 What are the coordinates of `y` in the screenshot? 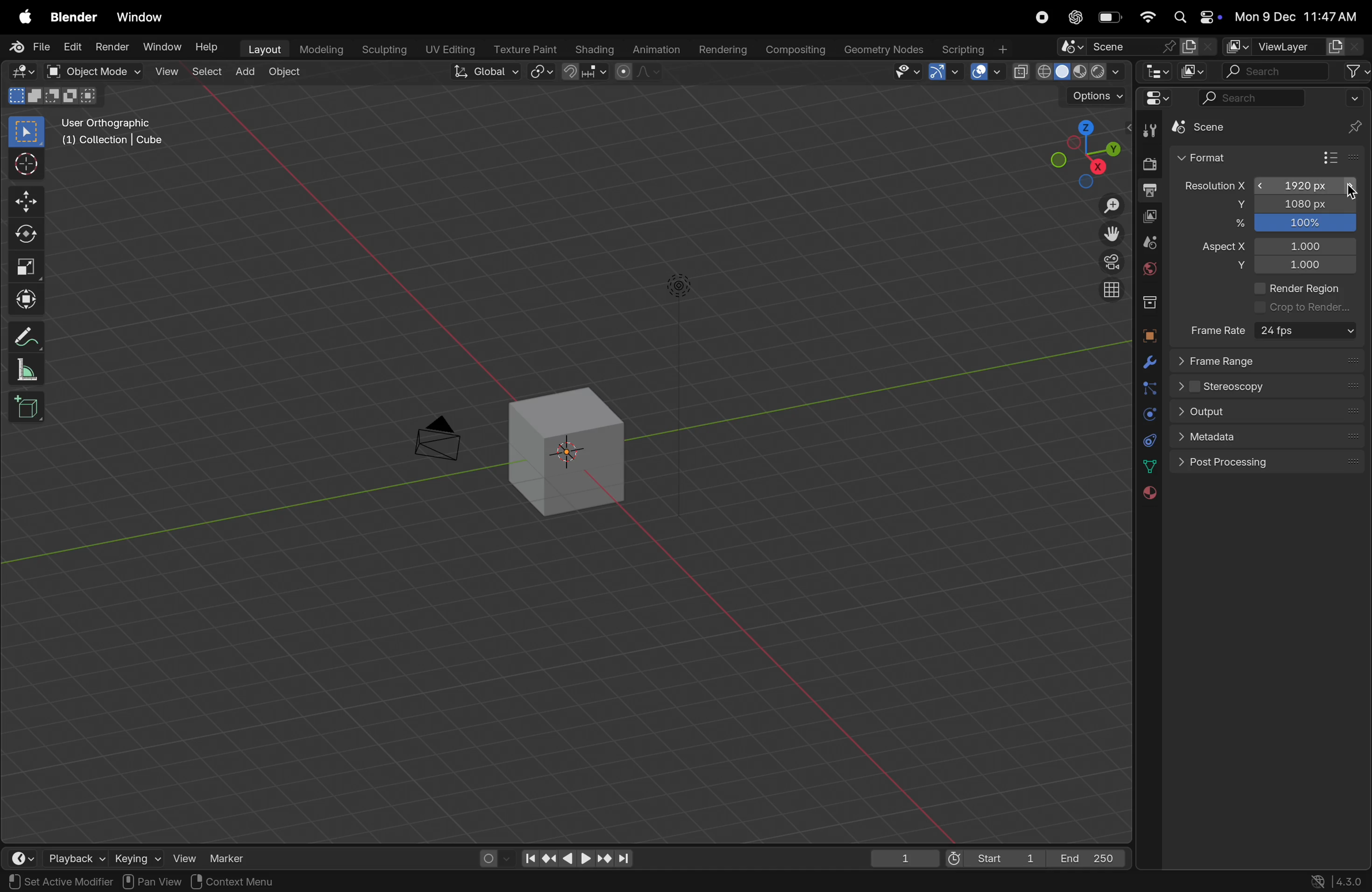 It's located at (1234, 266).